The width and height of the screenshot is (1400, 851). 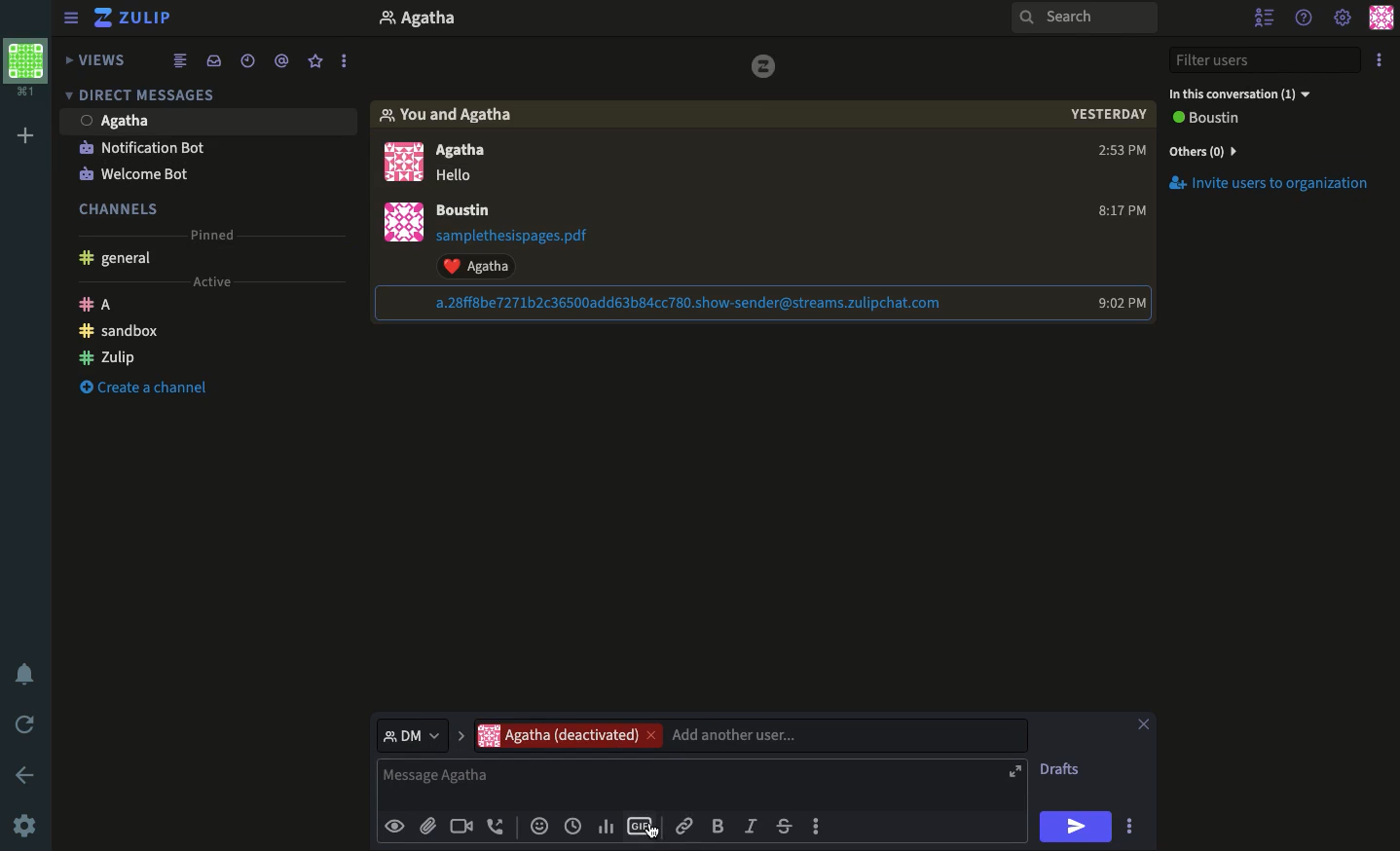 What do you see at coordinates (1306, 18) in the screenshot?
I see `Help` at bounding box center [1306, 18].